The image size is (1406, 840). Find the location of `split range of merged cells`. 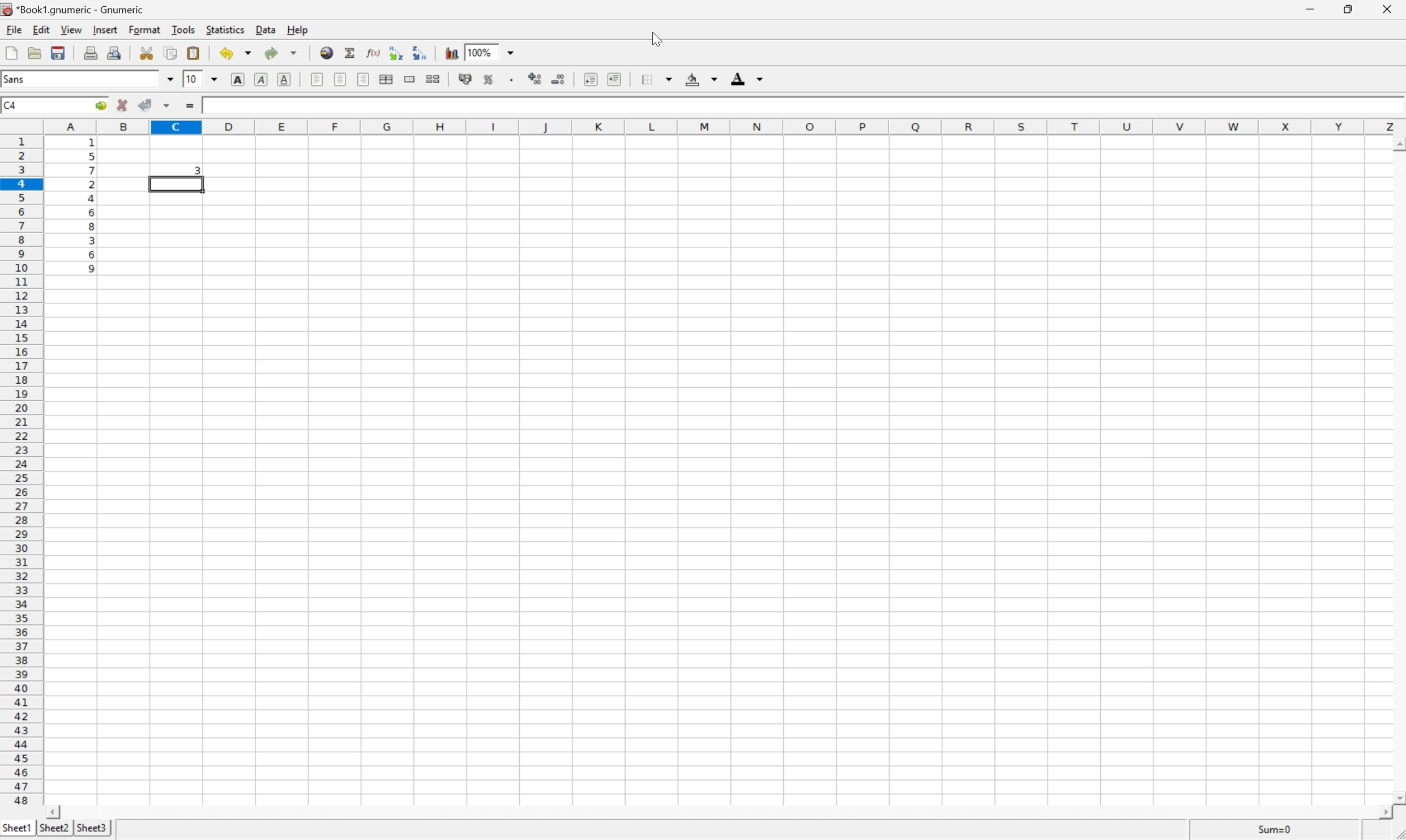

split range of merged cells is located at coordinates (436, 78).